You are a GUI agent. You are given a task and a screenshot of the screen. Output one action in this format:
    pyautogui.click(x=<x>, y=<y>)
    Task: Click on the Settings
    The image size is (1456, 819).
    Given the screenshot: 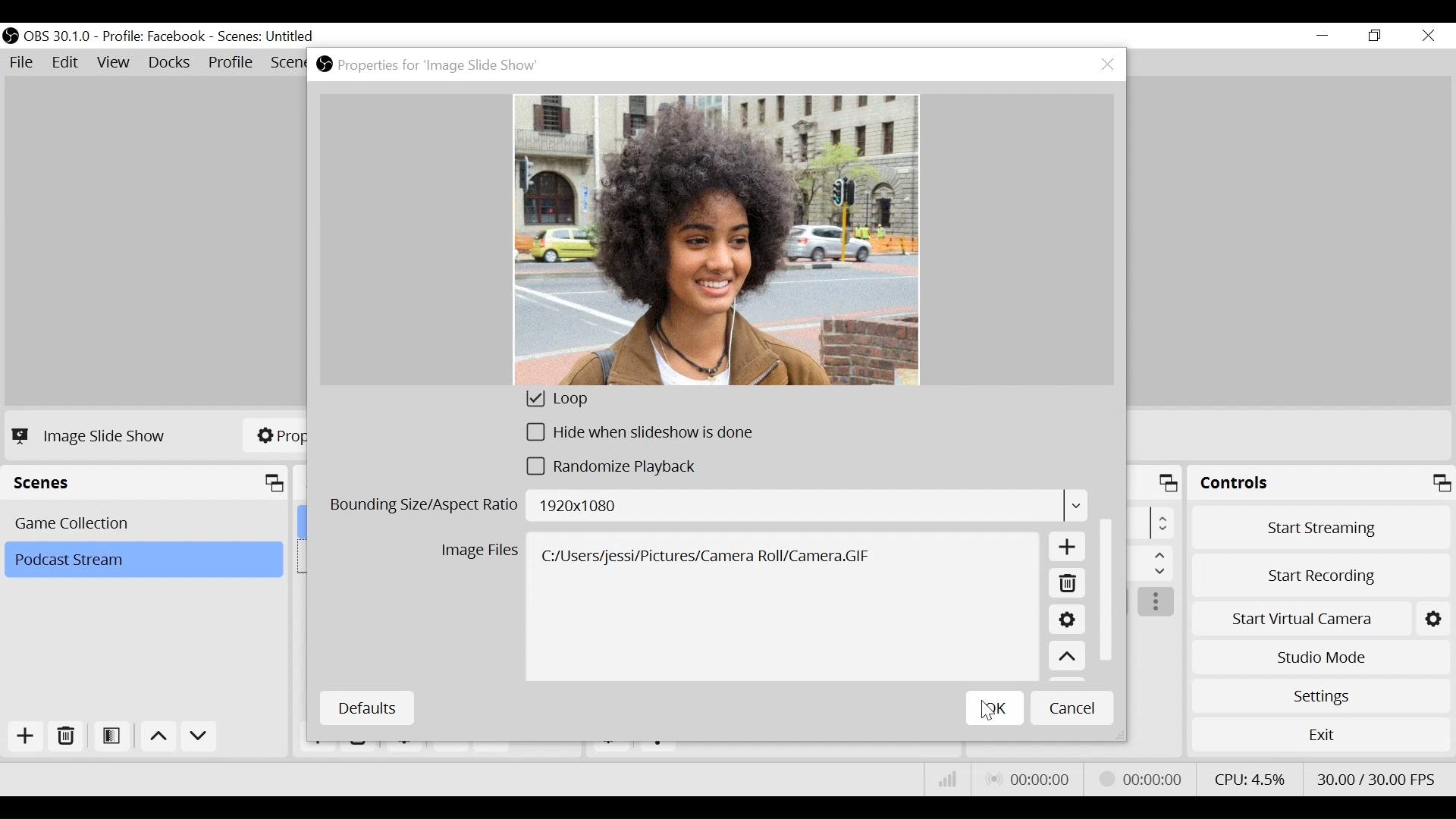 What is the action you would take?
    pyautogui.click(x=1320, y=695)
    